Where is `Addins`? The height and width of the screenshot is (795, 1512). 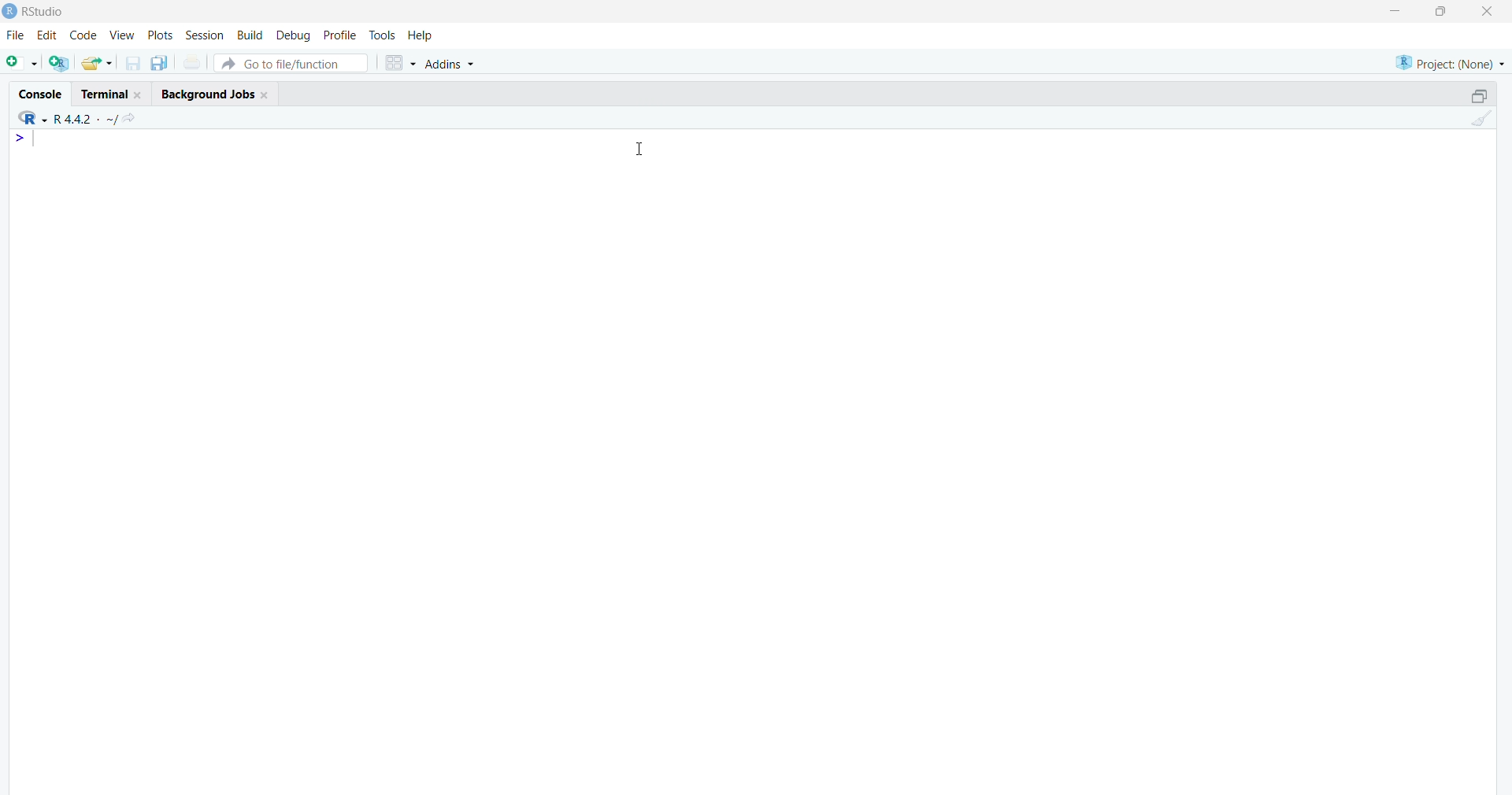
Addins is located at coordinates (453, 65).